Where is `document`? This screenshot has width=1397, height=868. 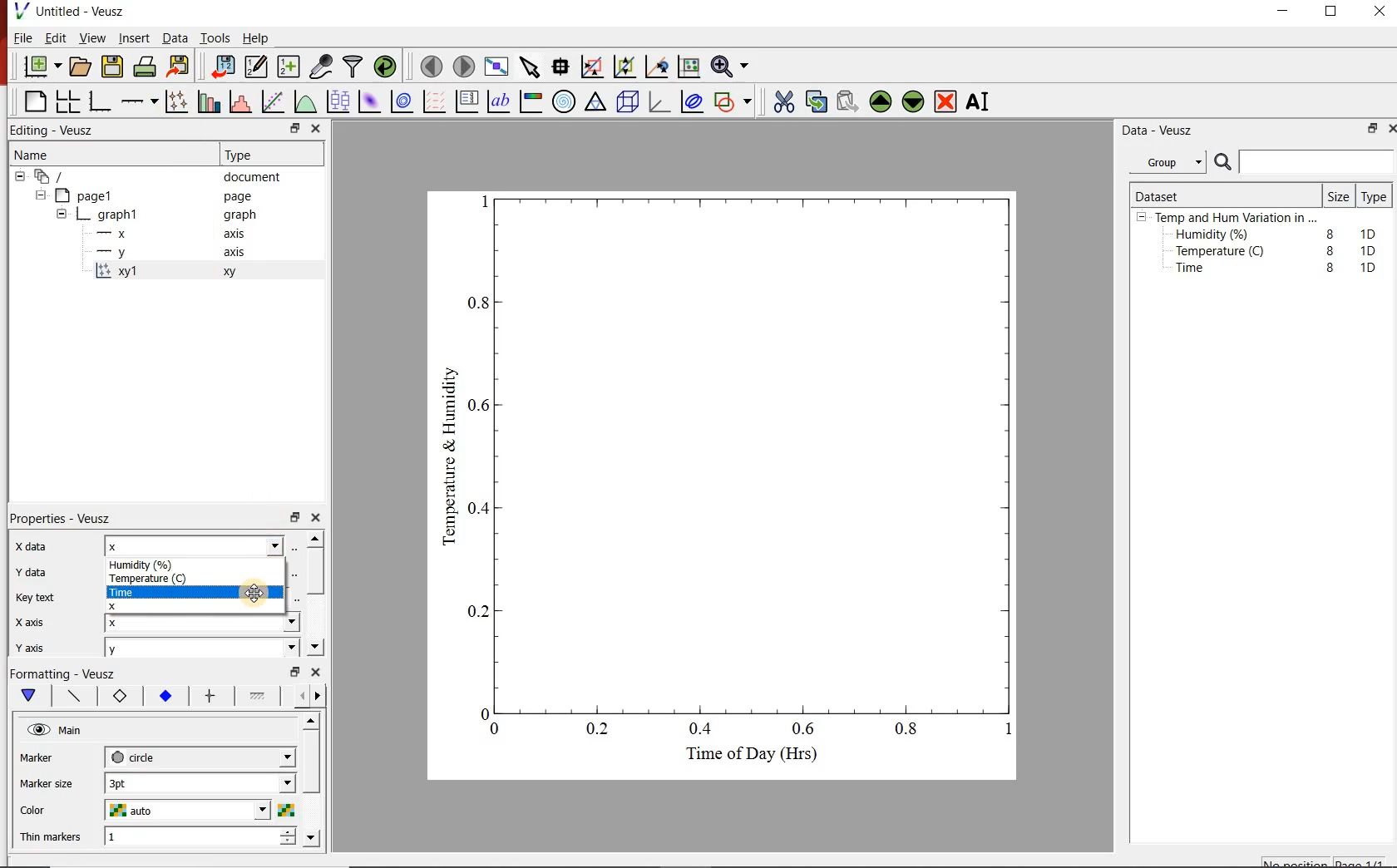
document is located at coordinates (258, 177).